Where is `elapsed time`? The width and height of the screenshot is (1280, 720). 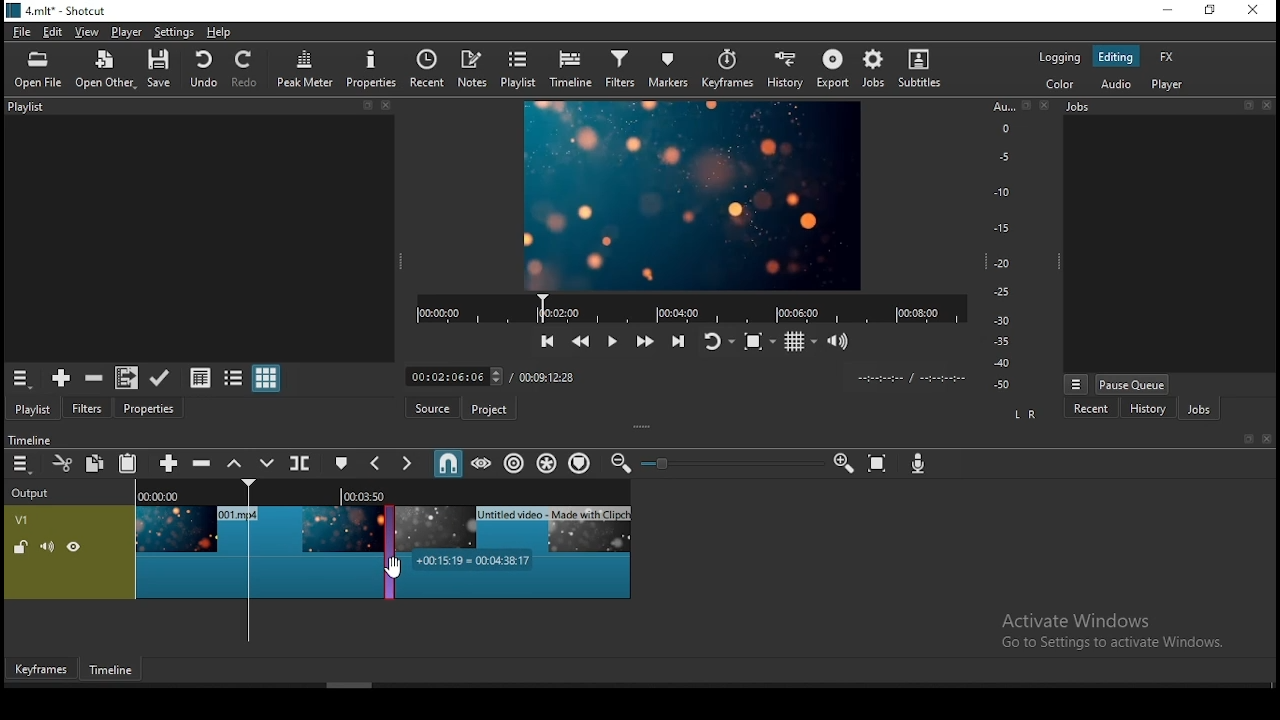
elapsed time is located at coordinates (458, 374).